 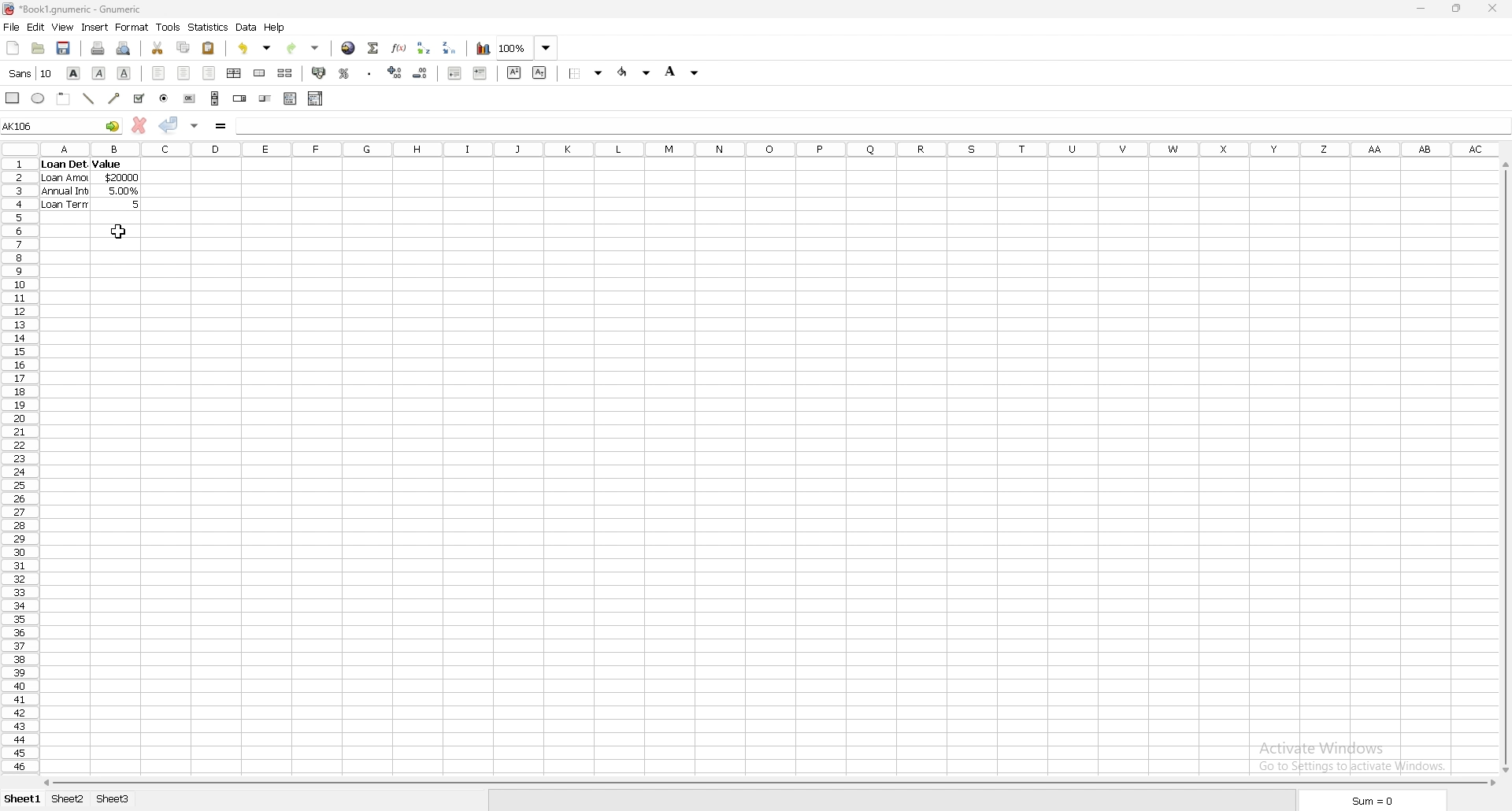 What do you see at coordinates (157, 47) in the screenshot?
I see `cut` at bounding box center [157, 47].